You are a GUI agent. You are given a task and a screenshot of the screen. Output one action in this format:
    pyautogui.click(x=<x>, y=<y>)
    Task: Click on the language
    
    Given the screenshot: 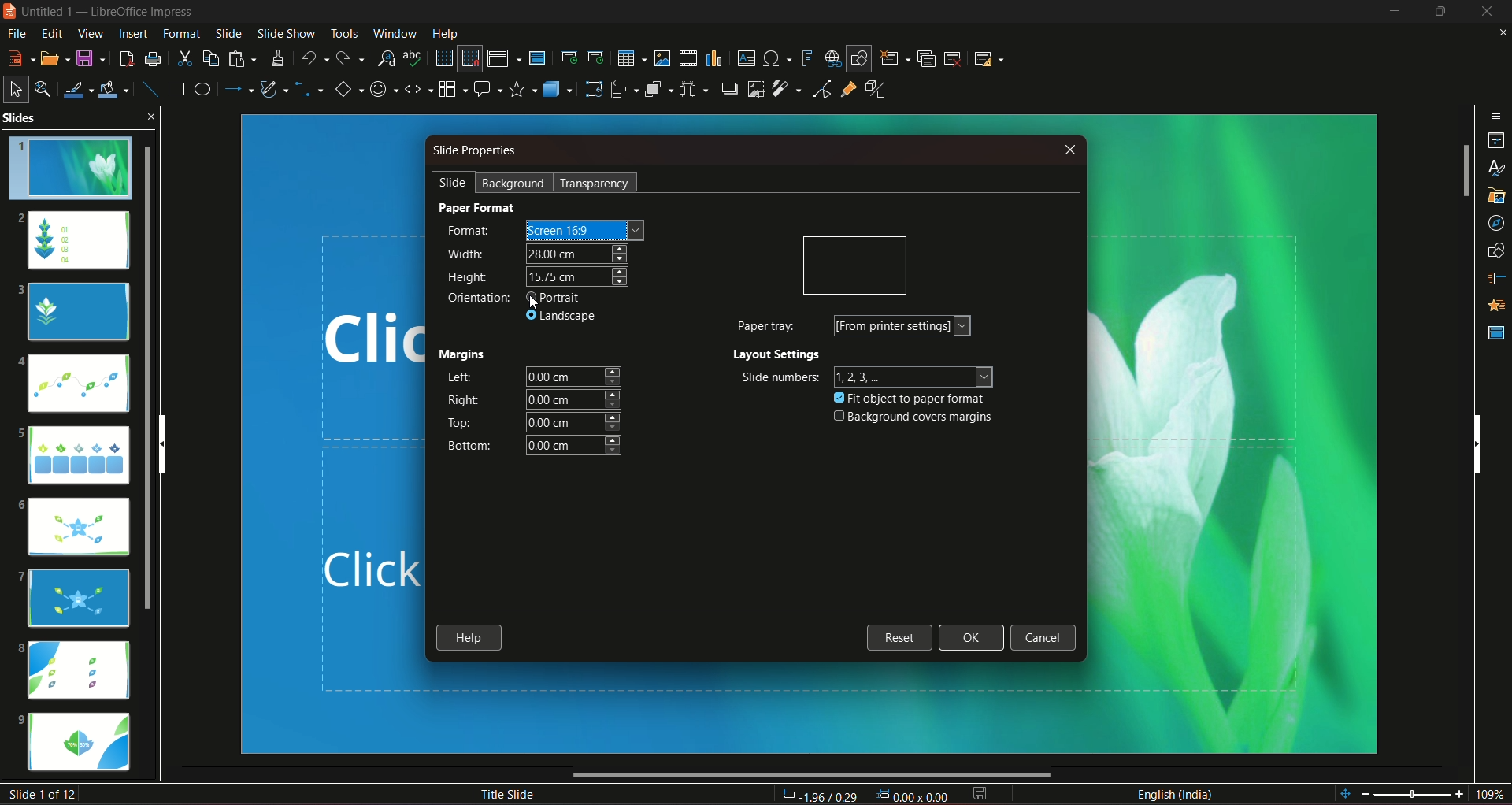 What is the action you would take?
    pyautogui.click(x=1175, y=793)
    